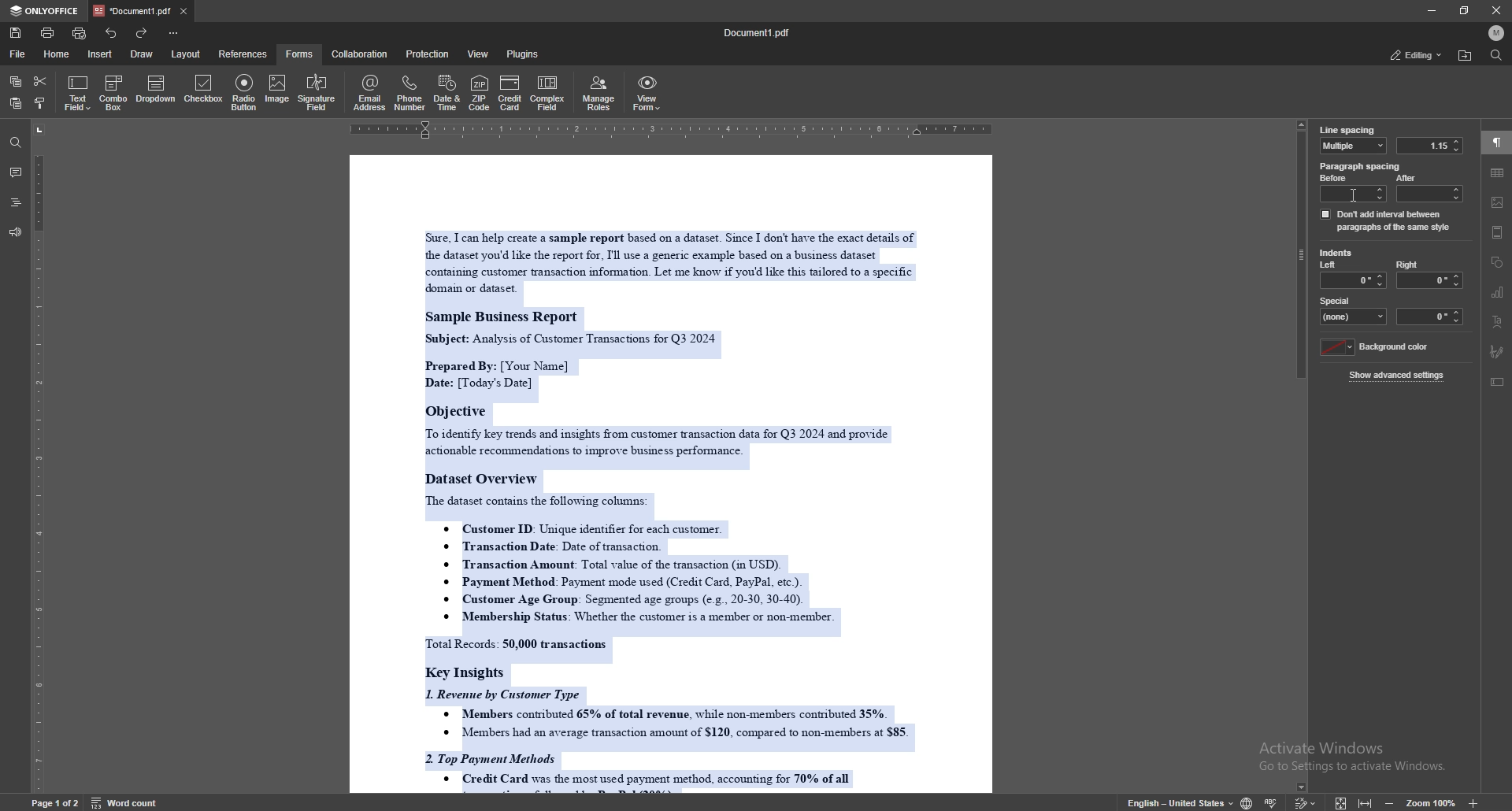 This screenshot has height=811, width=1512. What do you see at coordinates (14, 104) in the screenshot?
I see `paste` at bounding box center [14, 104].